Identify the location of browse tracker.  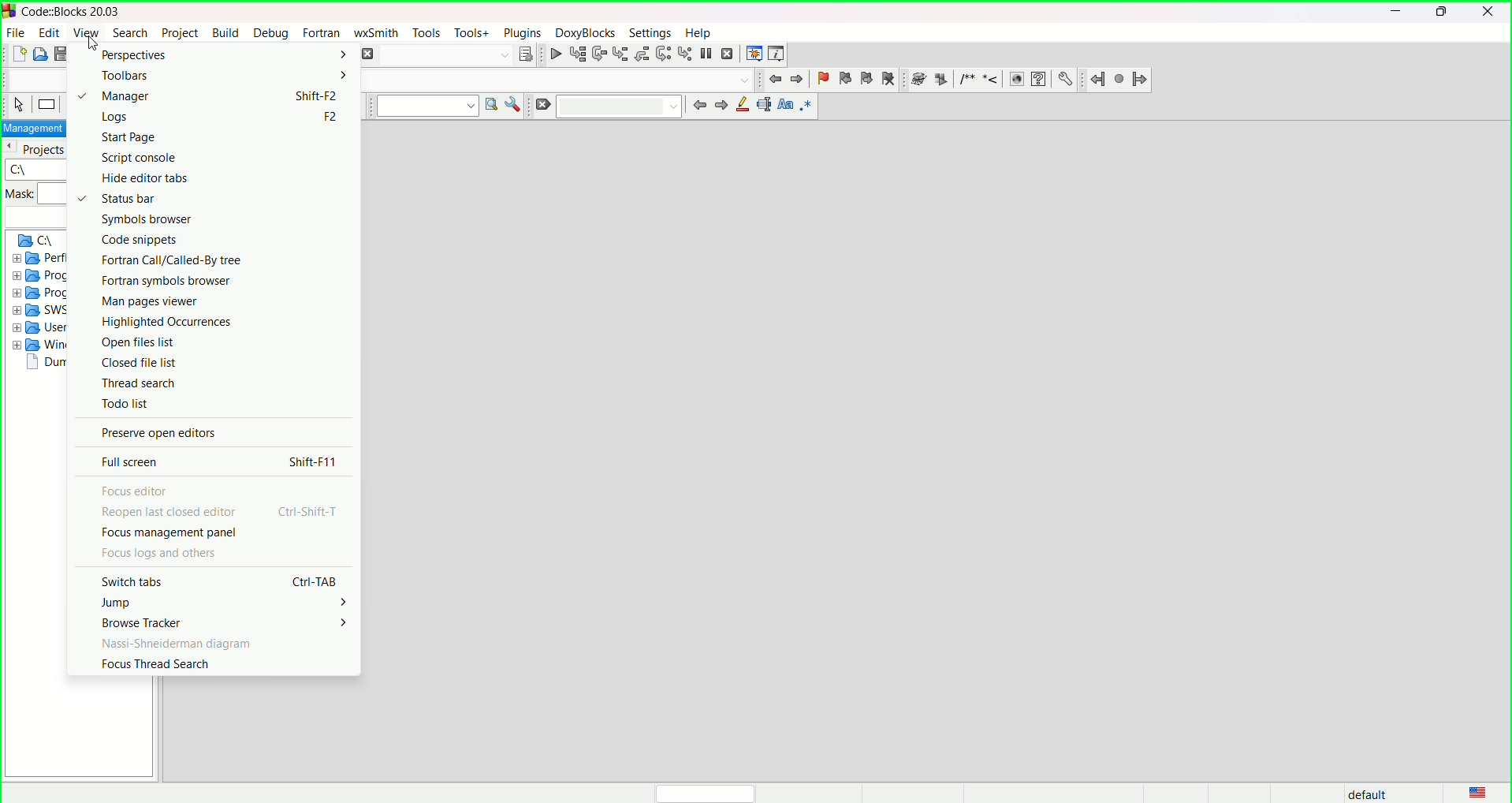
(145, 622).